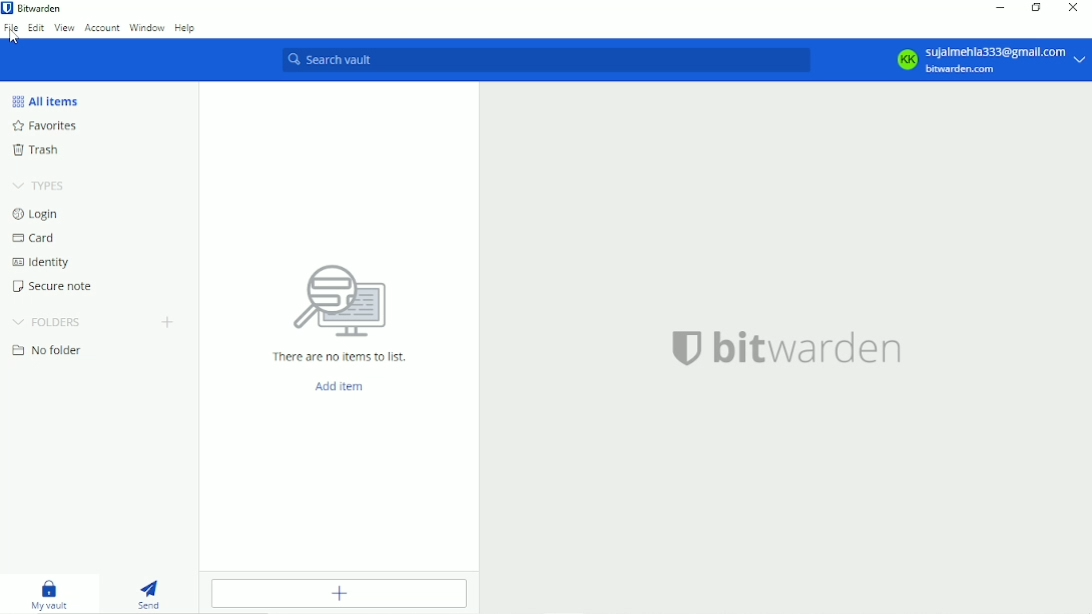  I want to click on Search vault, so click(546, 59).